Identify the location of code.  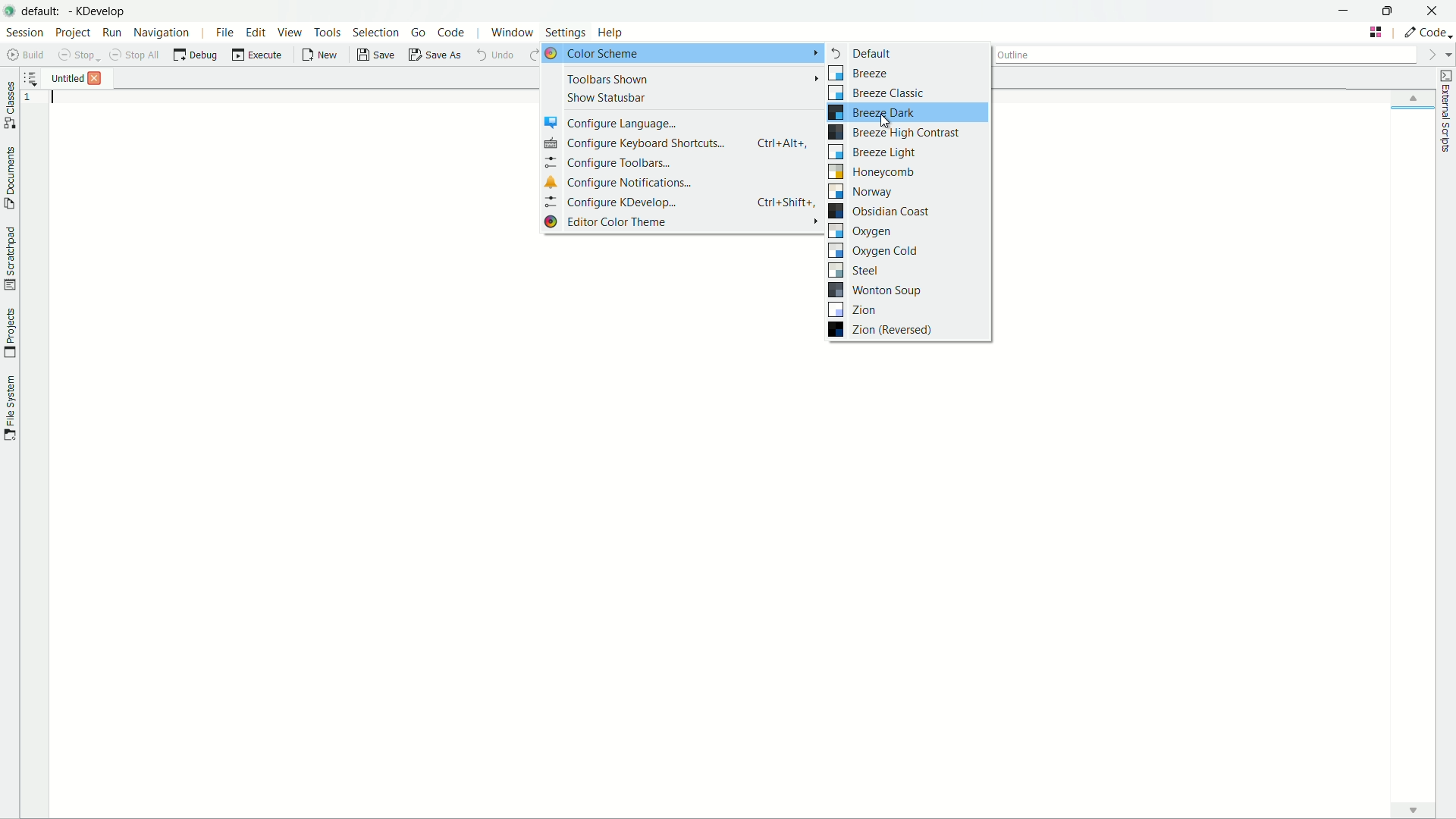
(452, 33).